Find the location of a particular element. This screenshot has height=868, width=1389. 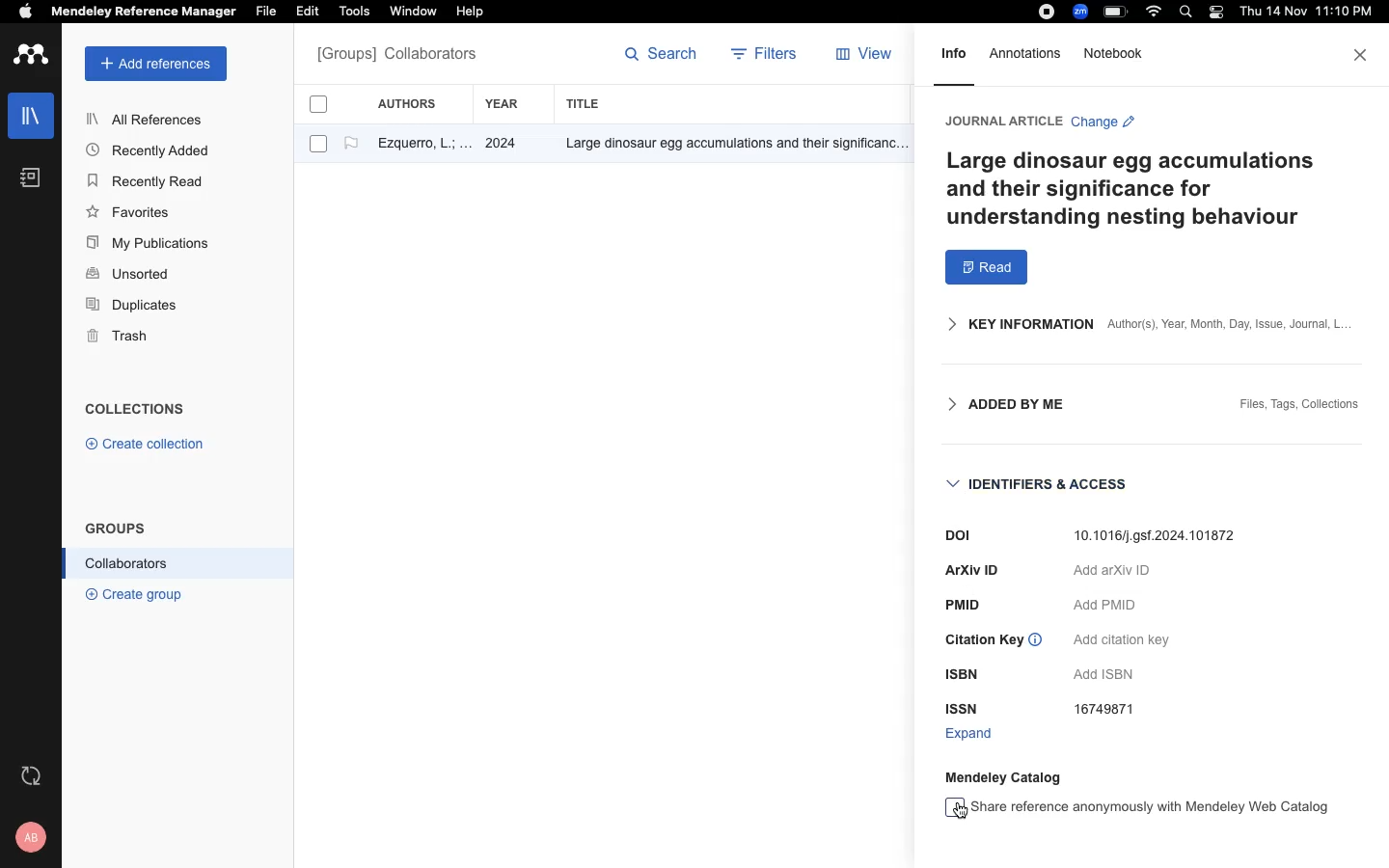

All References is located at coordinates (148, 119).